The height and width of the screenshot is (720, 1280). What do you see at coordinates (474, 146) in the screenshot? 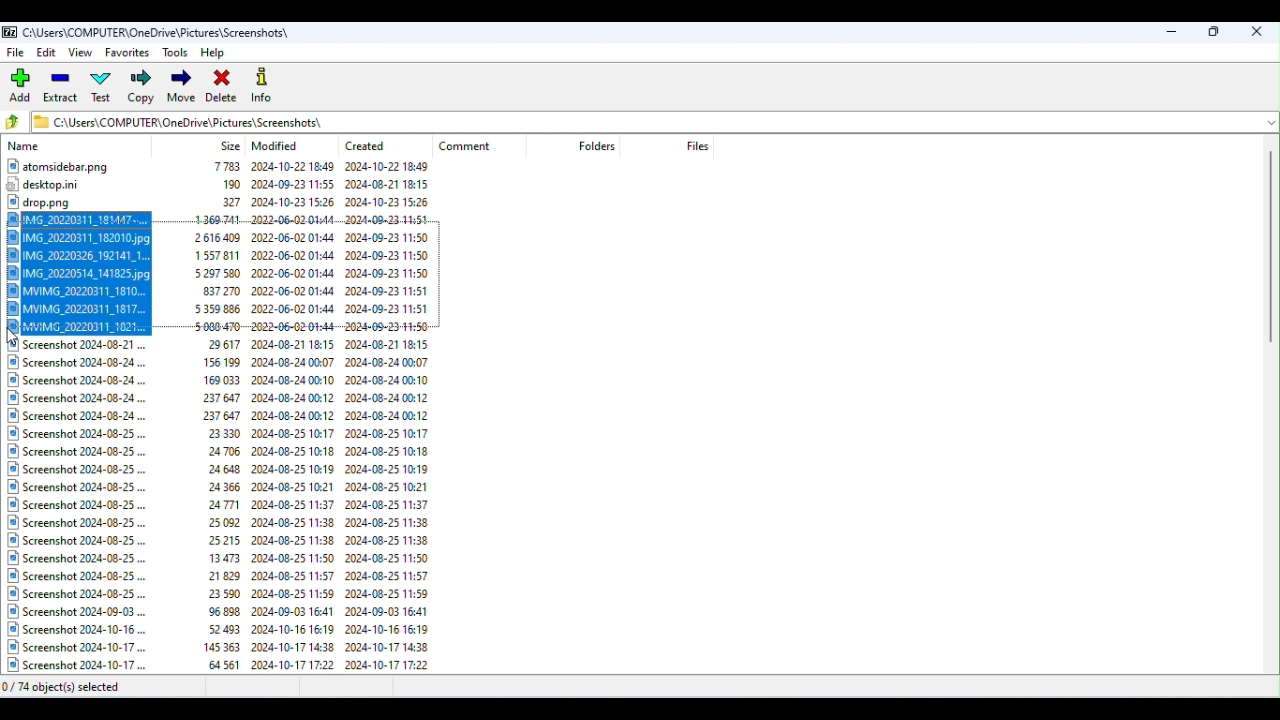
I see `Comment` at bounding box center [474, 146].